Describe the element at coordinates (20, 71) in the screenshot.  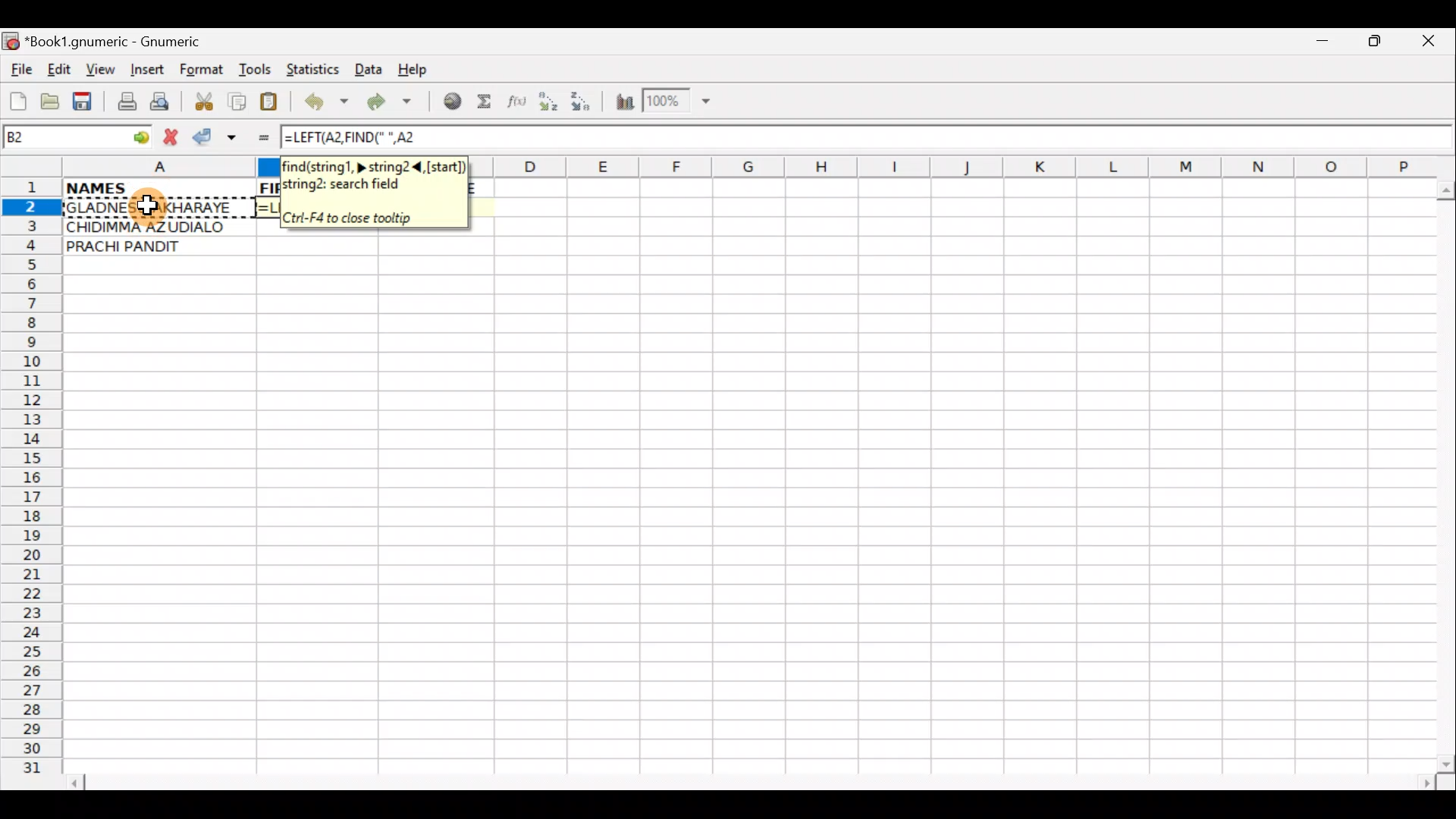
I see `File` at that location.